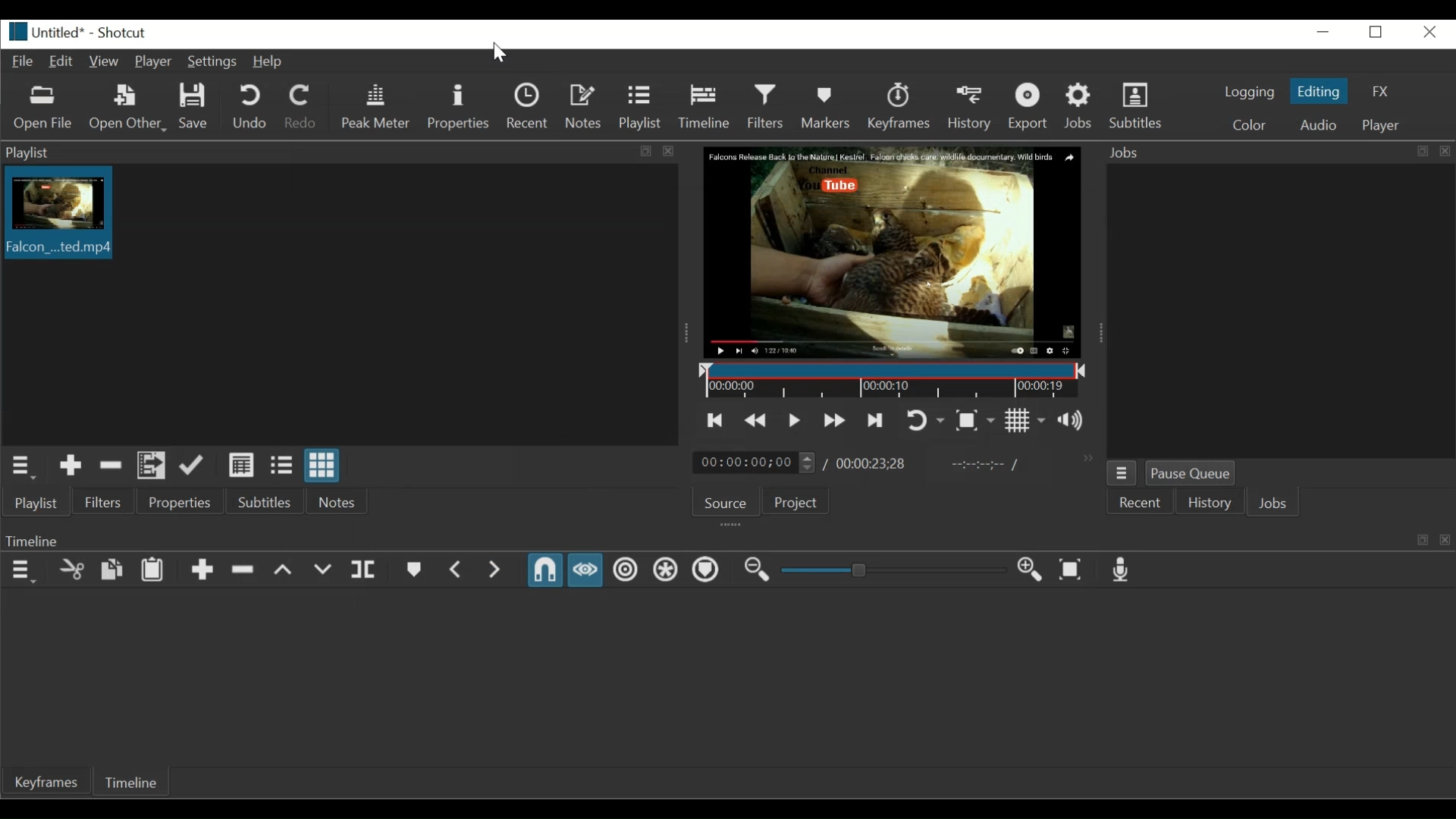 The width and height of the screenshot is (1456, 819). I want to click on View as files, so click(279, 465).